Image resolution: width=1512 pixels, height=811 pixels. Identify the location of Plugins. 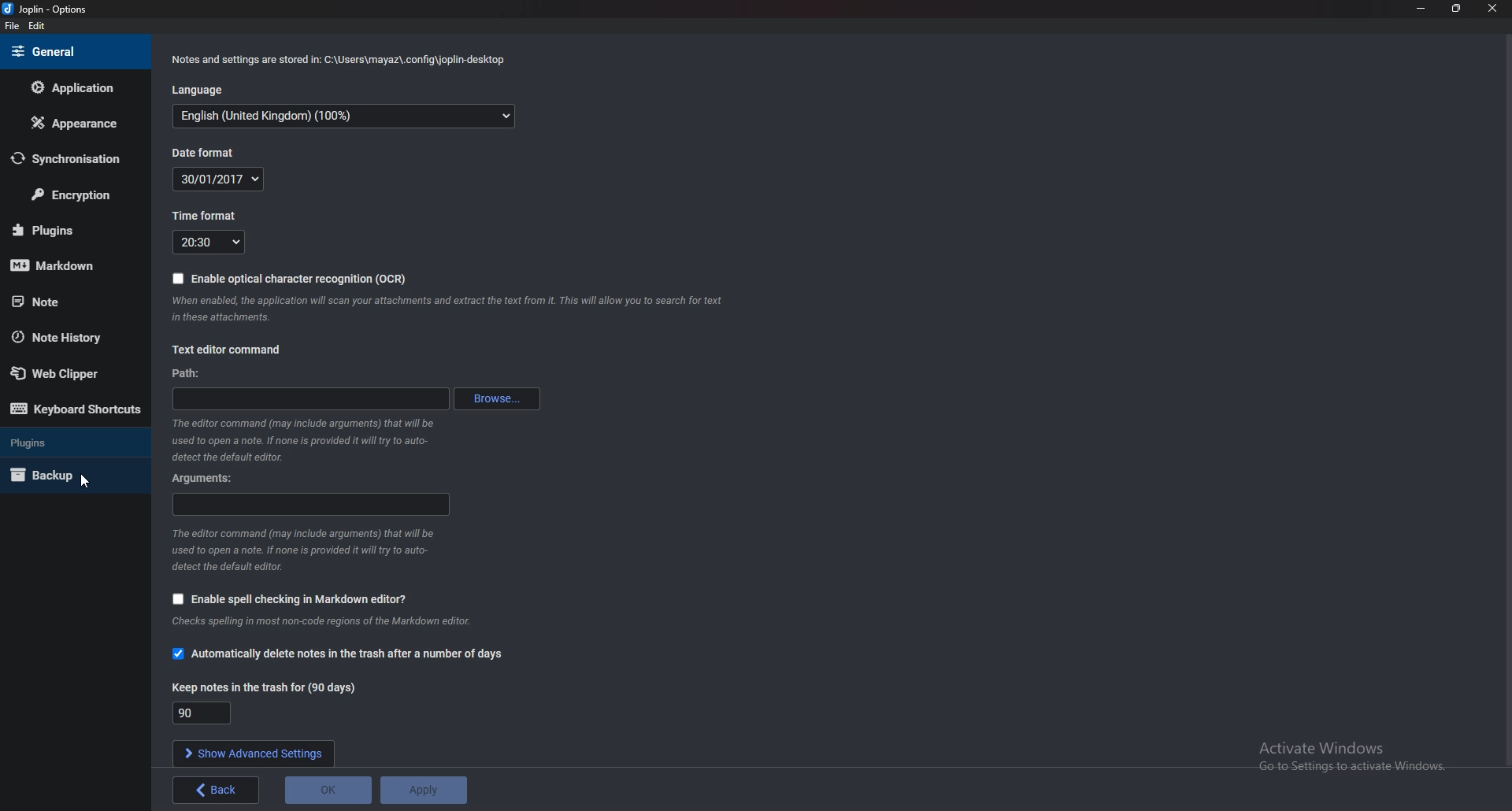
(65, 231).